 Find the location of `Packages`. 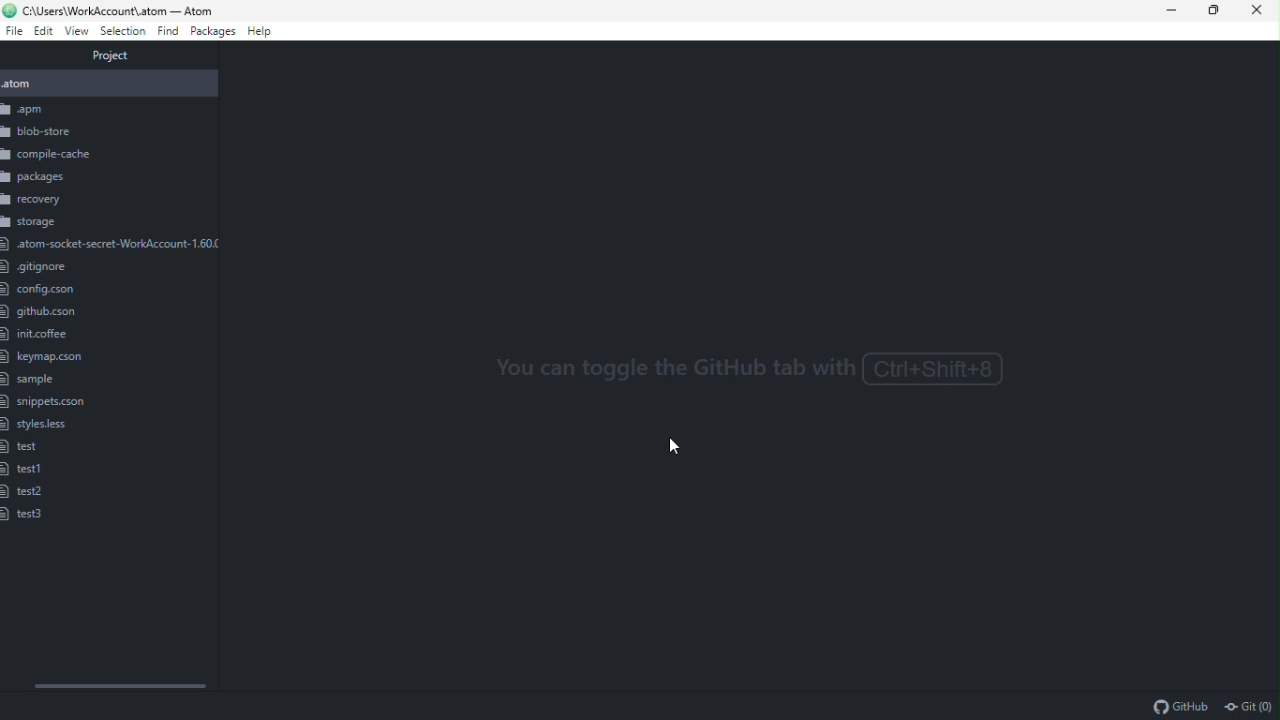

Packages is located at coordinates (214, 33).